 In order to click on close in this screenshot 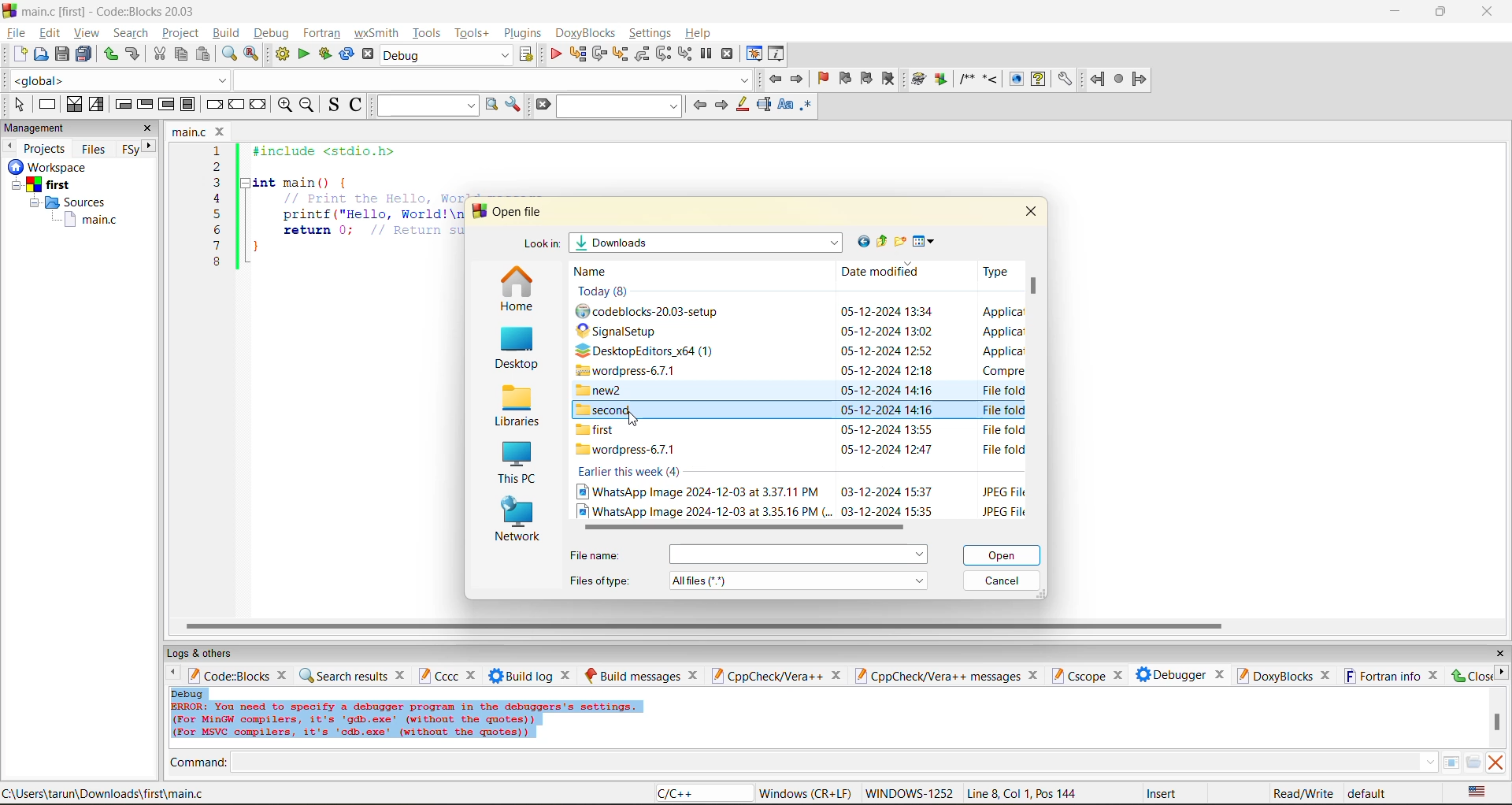, I will do `click(568, 675)`.